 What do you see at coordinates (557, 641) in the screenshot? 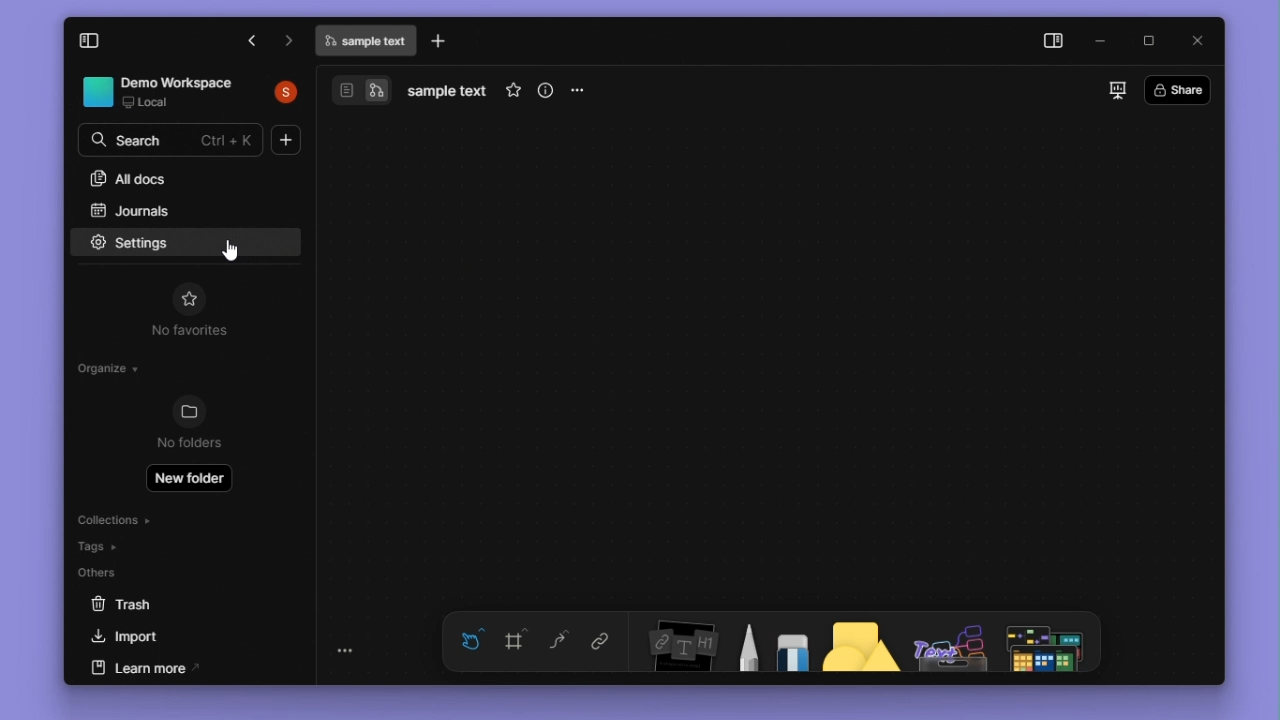
I see `curve` at bounding box center [557, 641].